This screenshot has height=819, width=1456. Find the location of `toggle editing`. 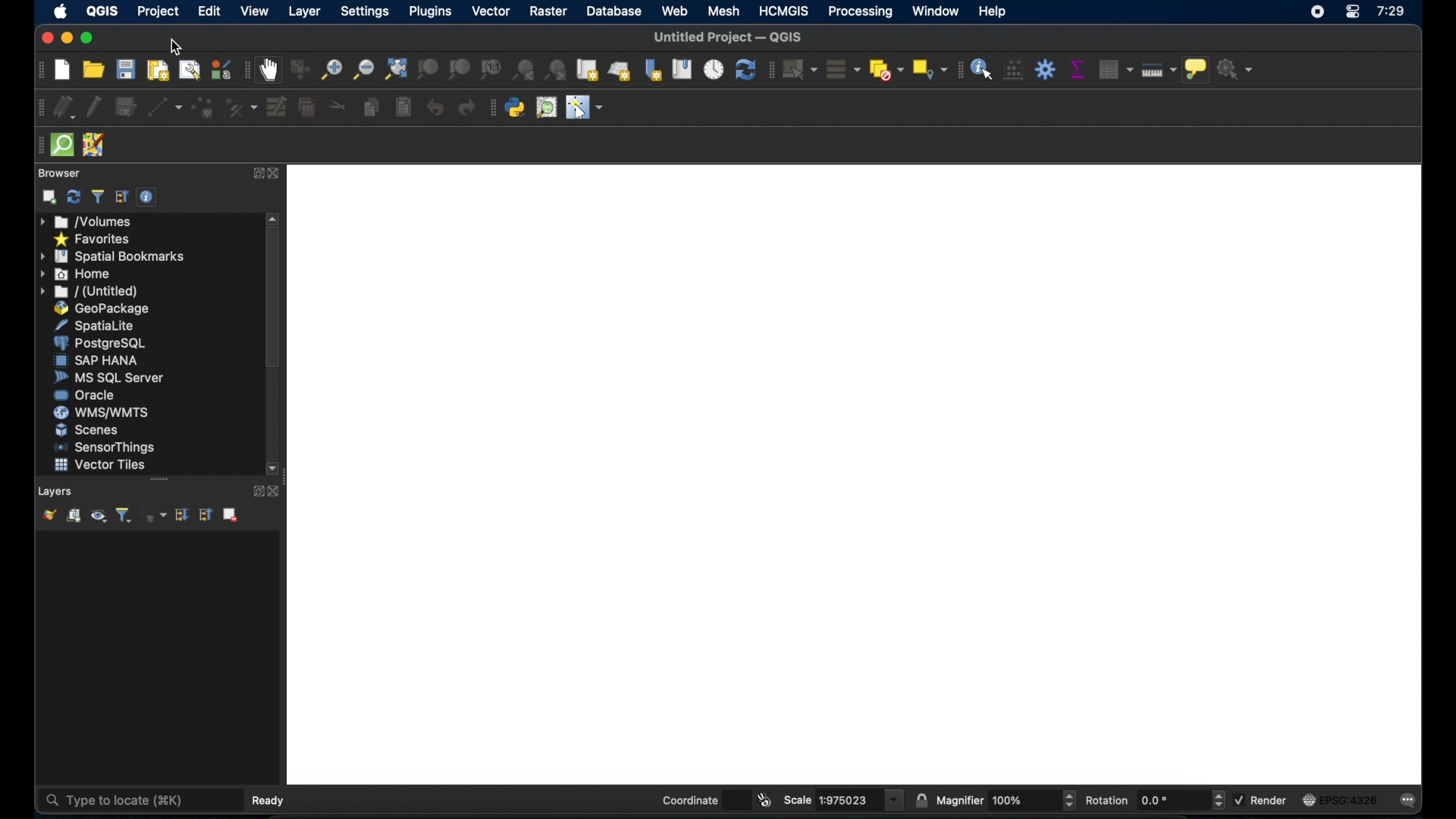

toggle editing is located at coordinates (95, 105).